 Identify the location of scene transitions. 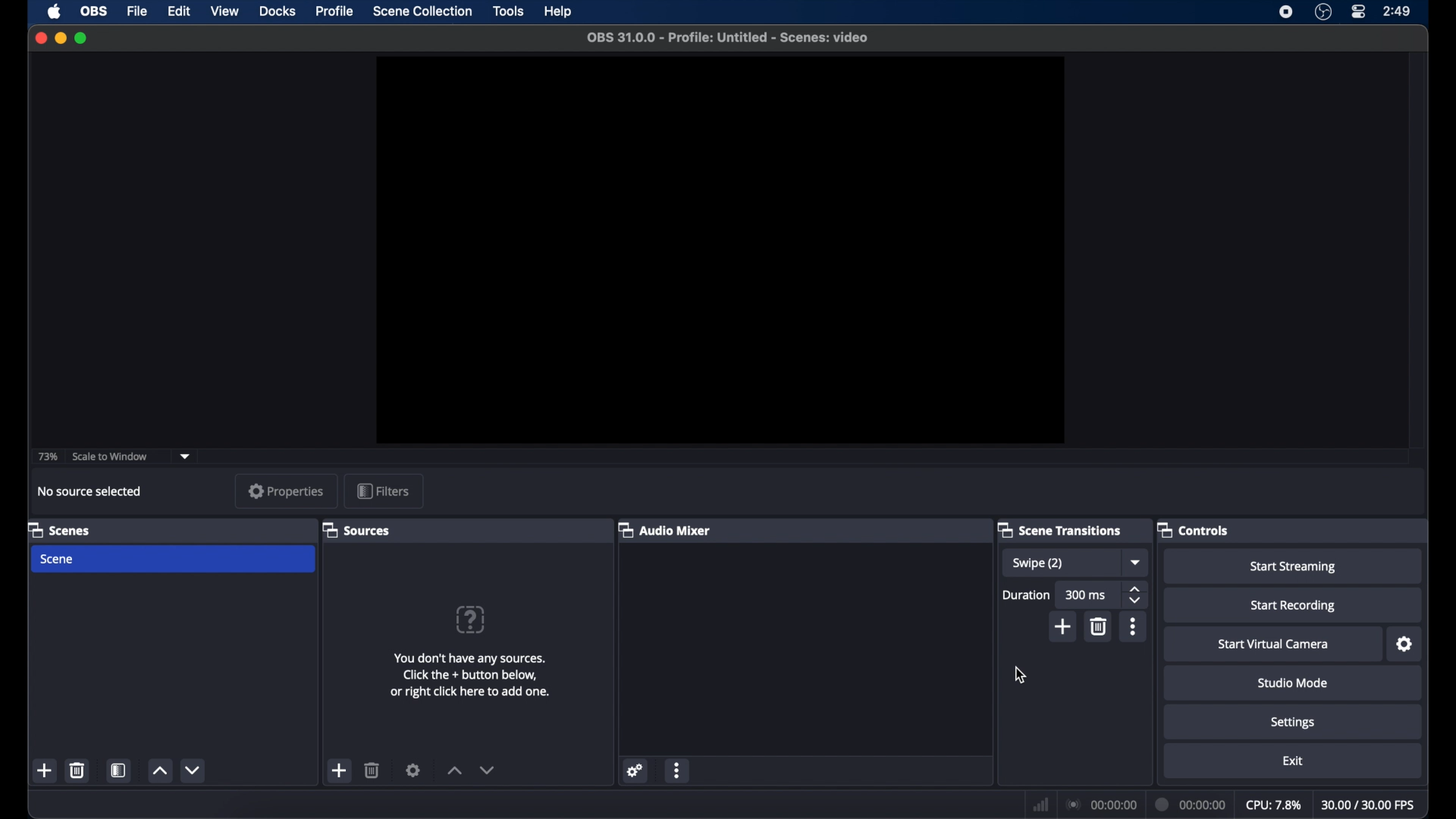
(1060, 529).